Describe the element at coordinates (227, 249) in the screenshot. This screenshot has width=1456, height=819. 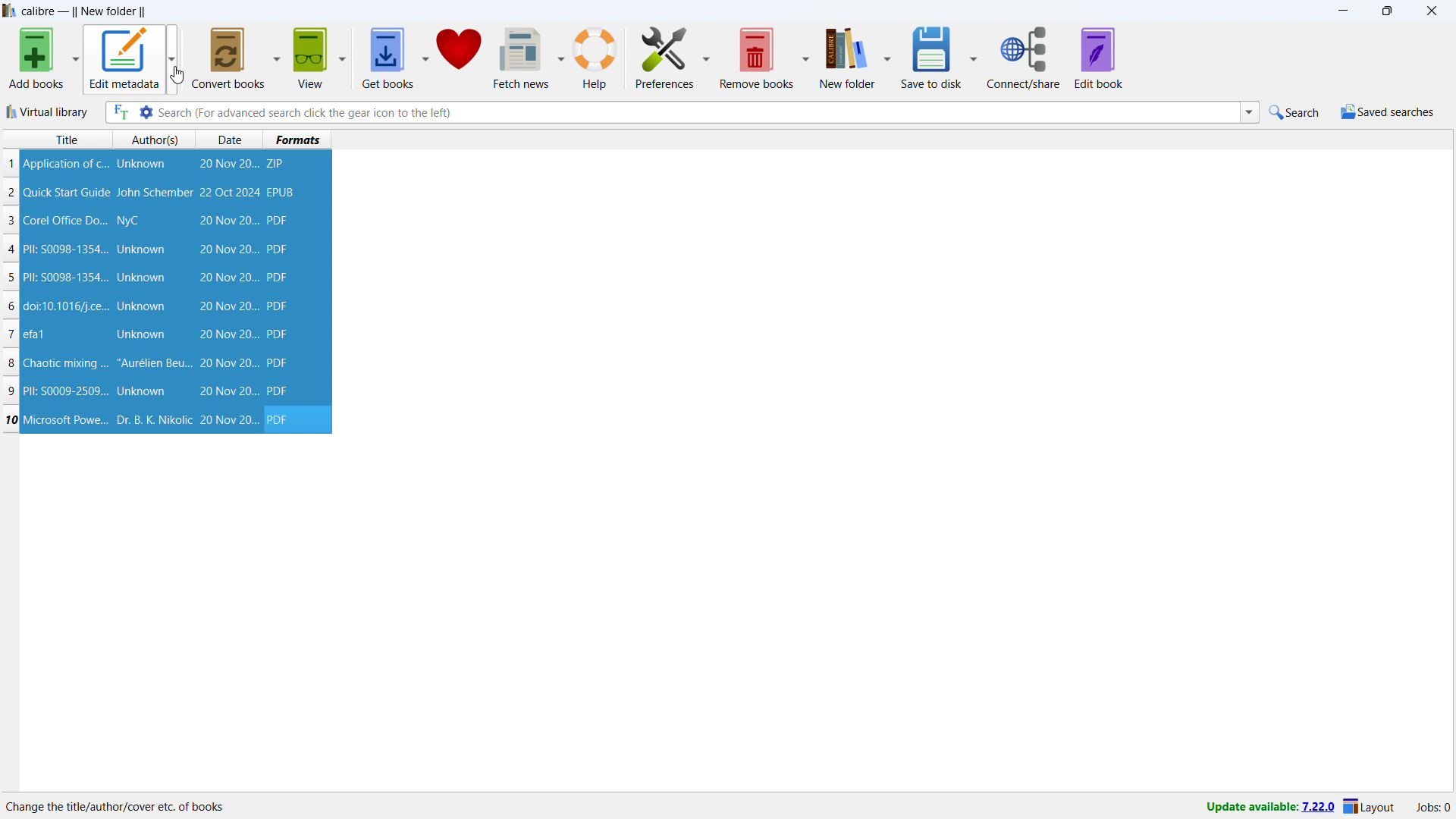
I see `20 Nov 20...` at that location.